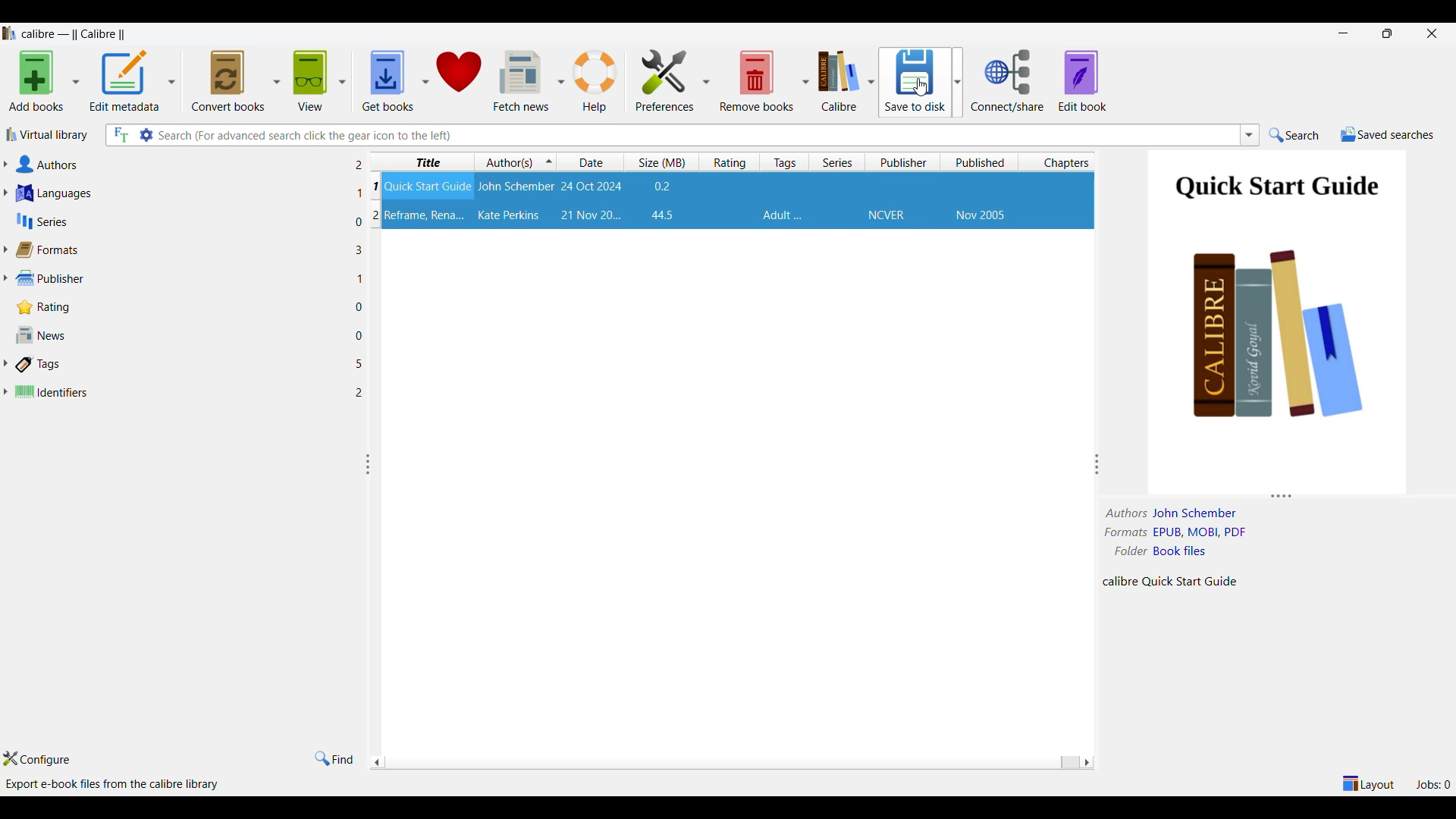  What do you see at coordinates (764, 80) in the screenshot?
I see `Remove book options` at bounding box center [764, 80].